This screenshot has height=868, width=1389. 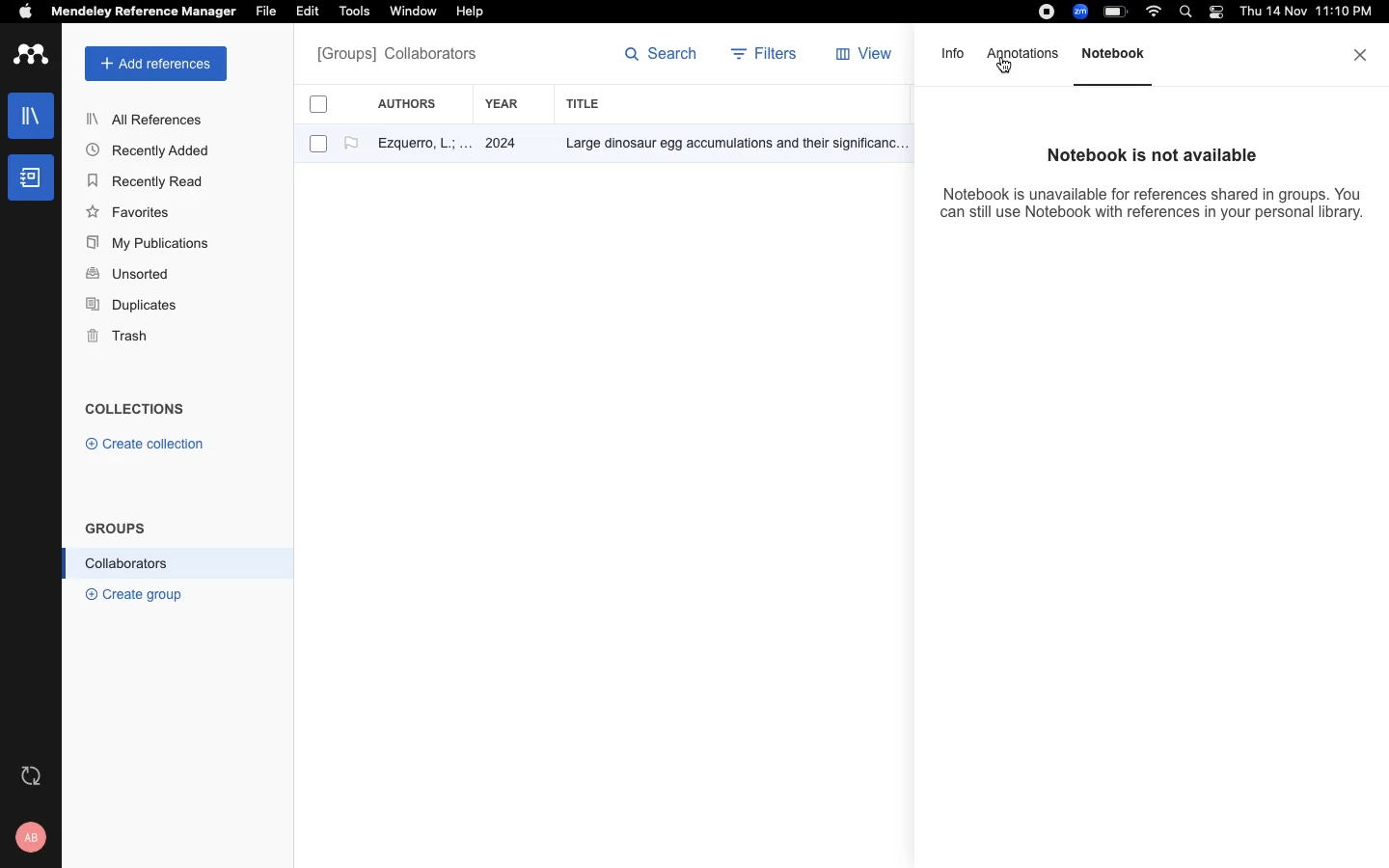 I want to click on Edit, so click(x=311, y=13).